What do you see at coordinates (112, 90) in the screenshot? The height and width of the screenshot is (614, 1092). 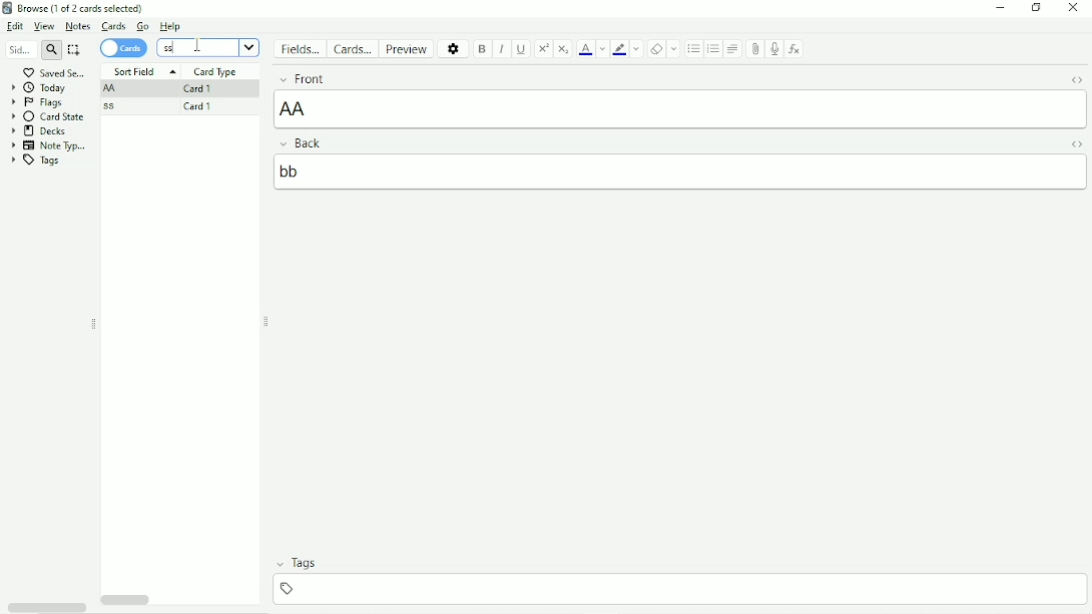 I see `AA` at bounding box center [112, 90].